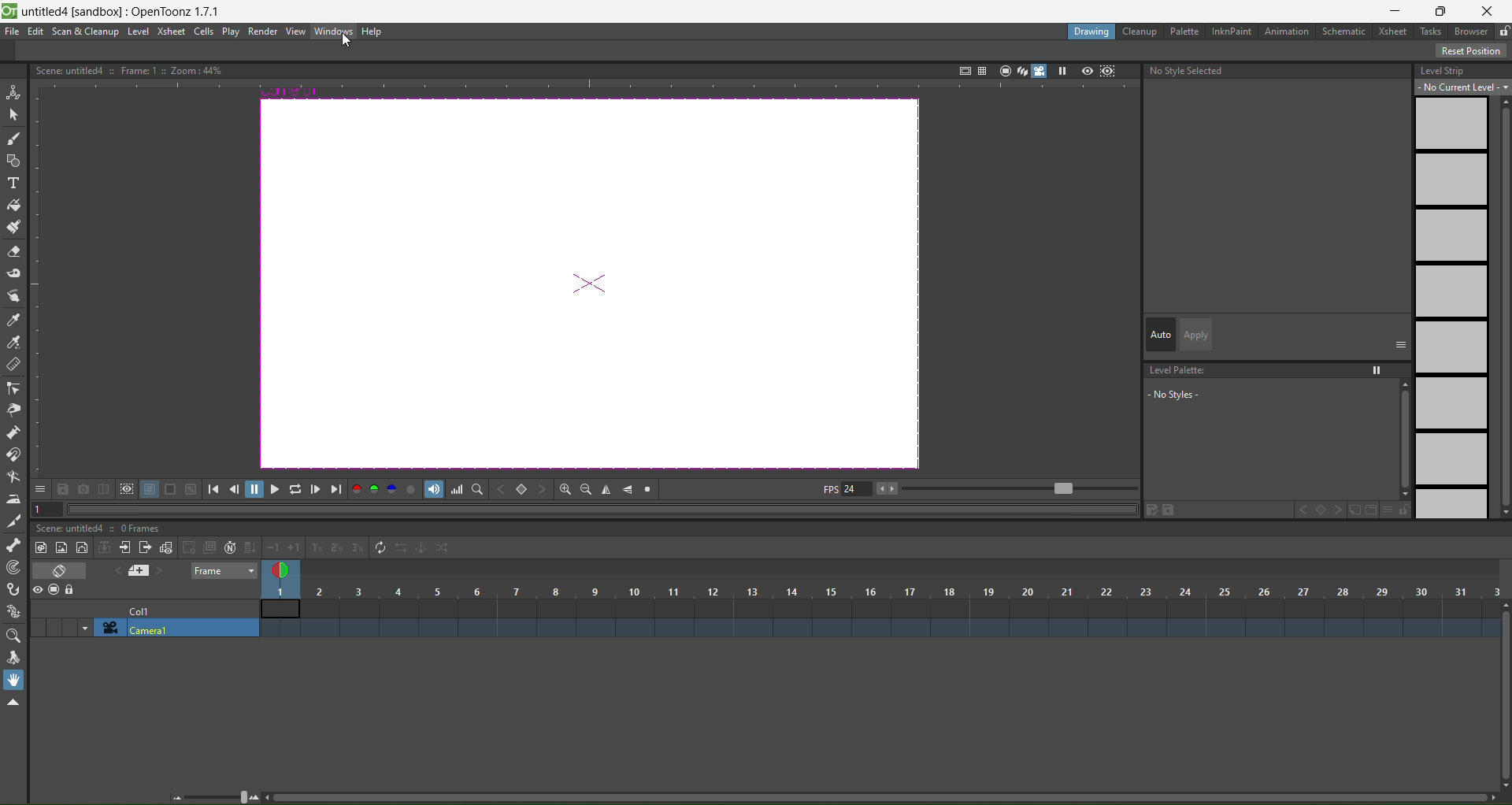 The height and width of the screenshot is (805, 1512). What do you see at coordinates (249, 547) in the screenshot?
I see `fill in empty cells` at bounding box center [249, 547].